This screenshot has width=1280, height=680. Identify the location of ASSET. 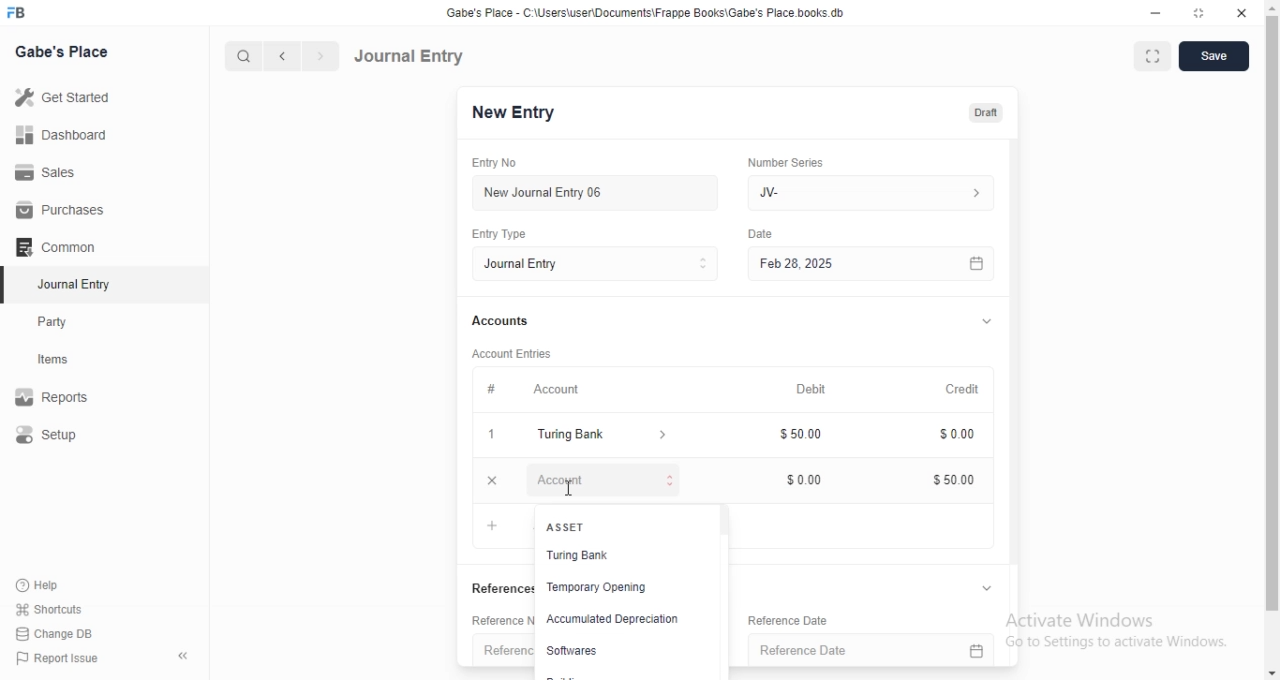
(606, 527).